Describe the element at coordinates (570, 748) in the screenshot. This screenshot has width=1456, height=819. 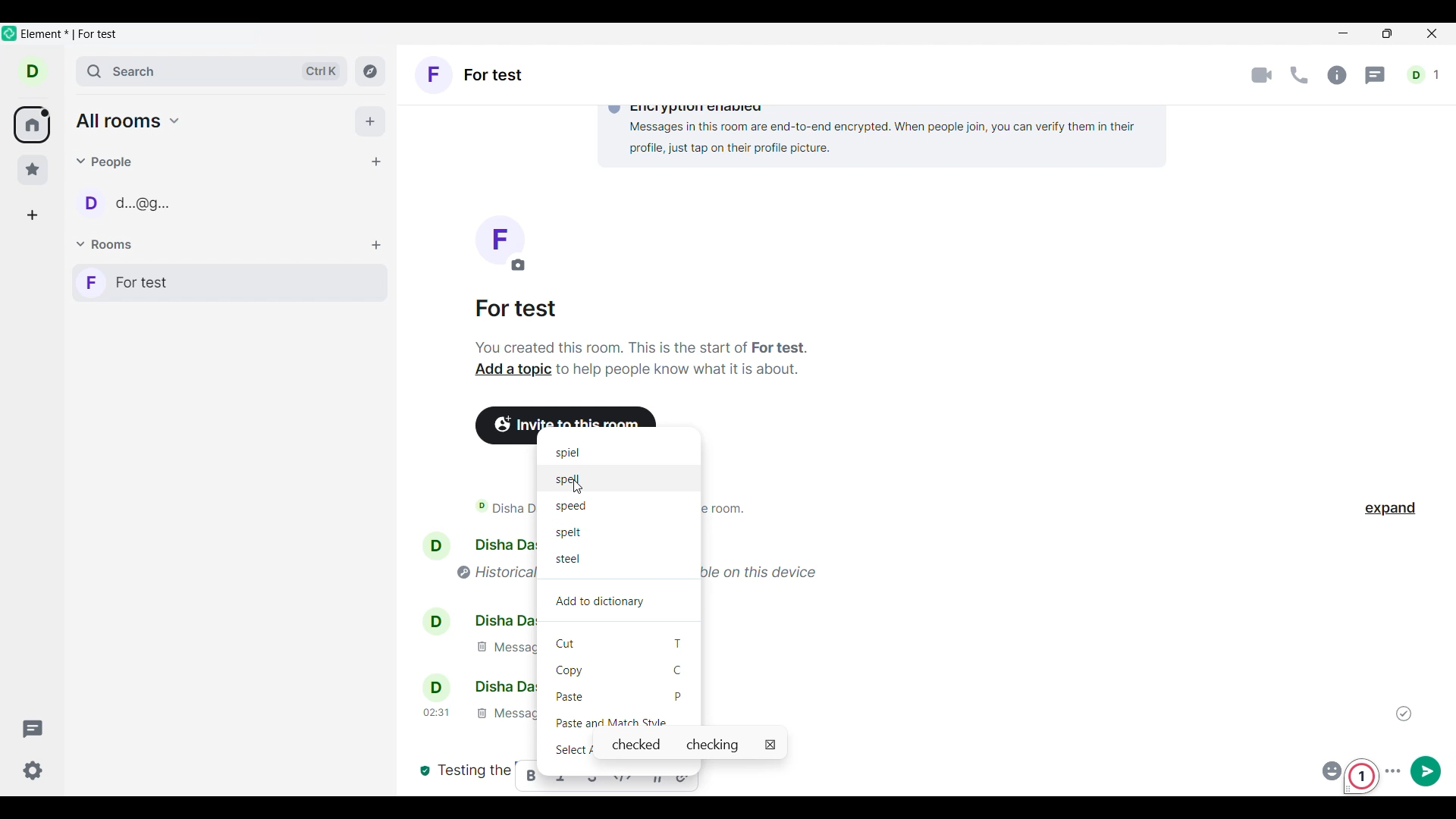
I see `Select all` at that location.